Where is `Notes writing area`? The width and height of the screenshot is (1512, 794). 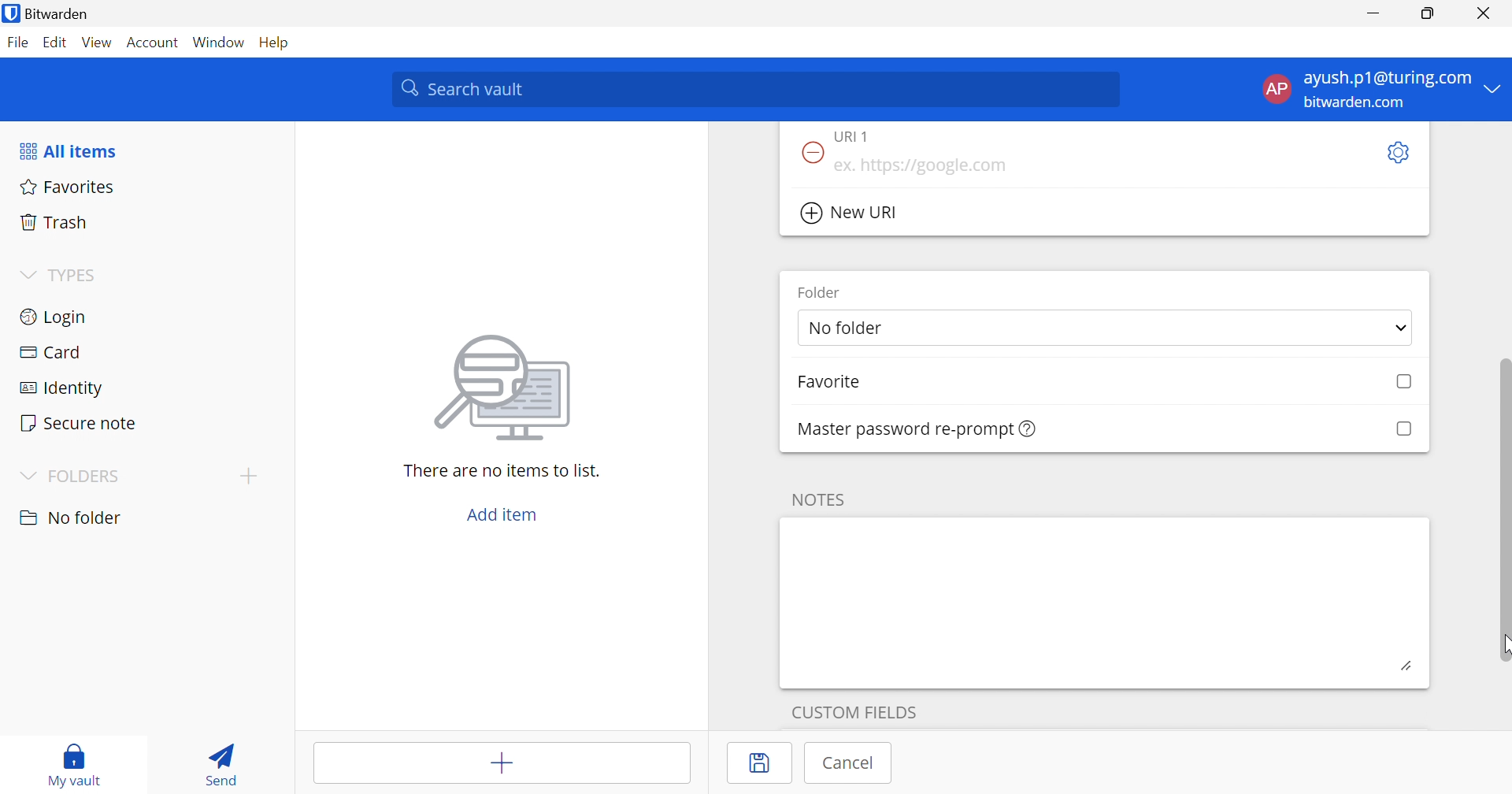
Notes writing area is located at coordinates (1105, 602).